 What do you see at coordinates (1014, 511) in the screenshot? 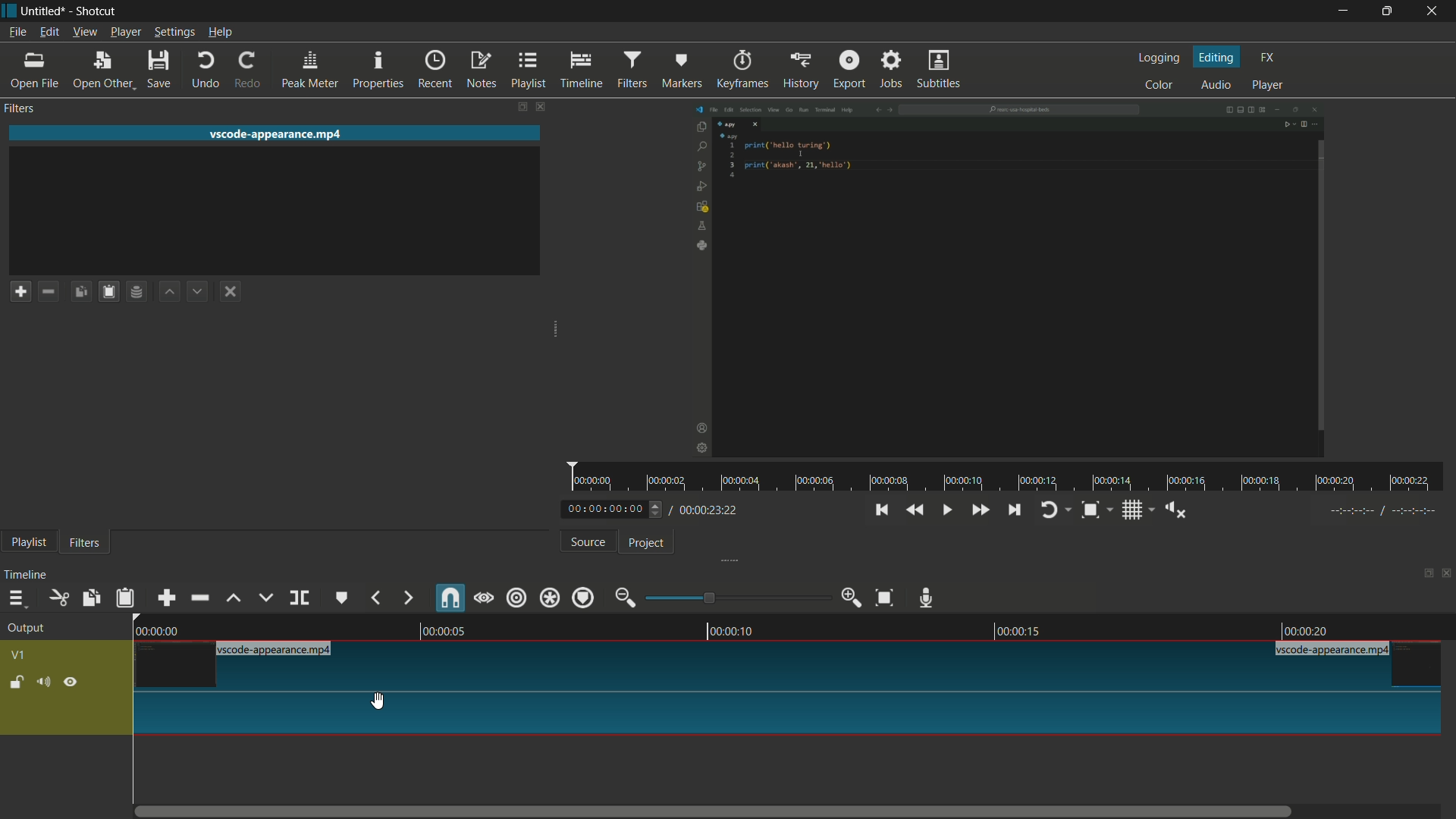
I see `skip to the next point` at bounding box center [1014, 511].